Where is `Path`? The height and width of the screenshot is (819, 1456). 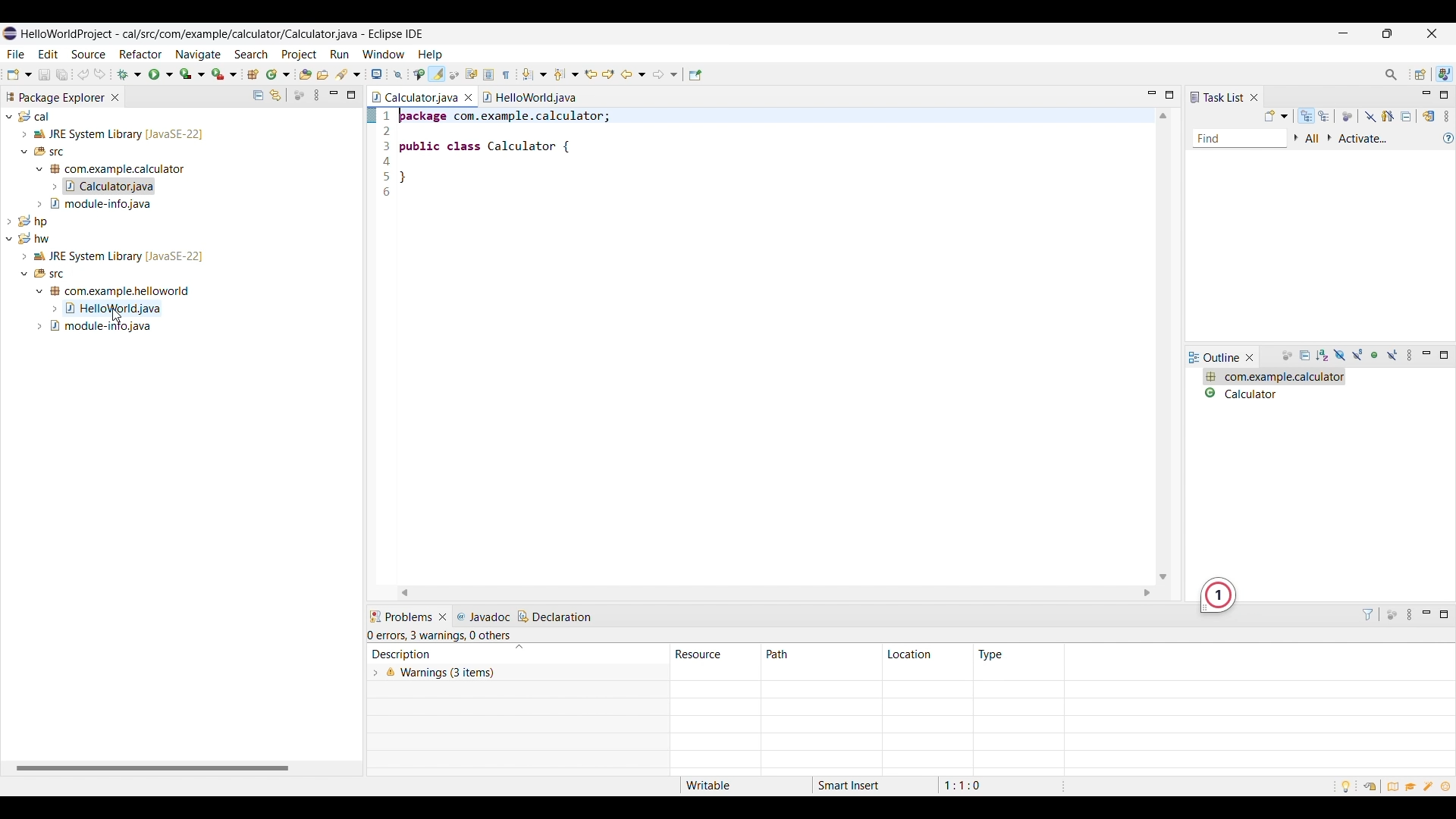
Path is located at coordinates (821, 654).